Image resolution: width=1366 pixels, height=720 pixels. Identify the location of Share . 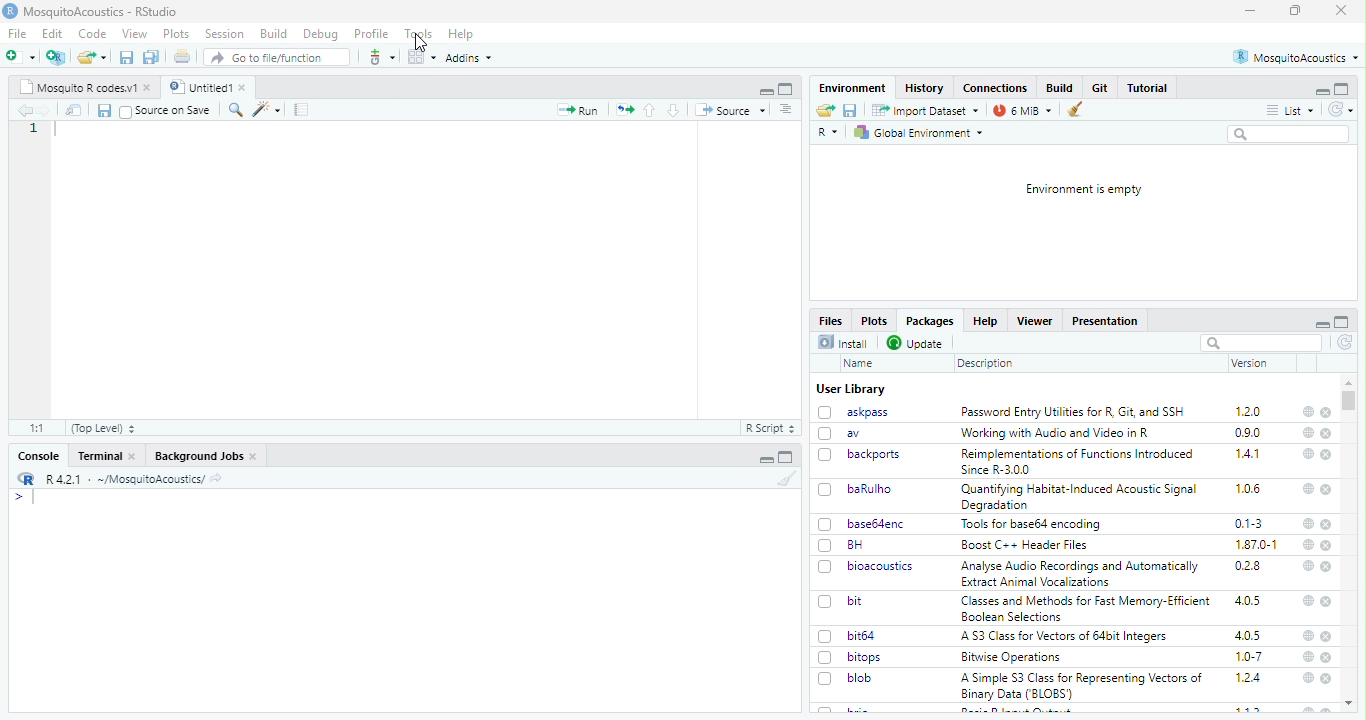
(74, 110).